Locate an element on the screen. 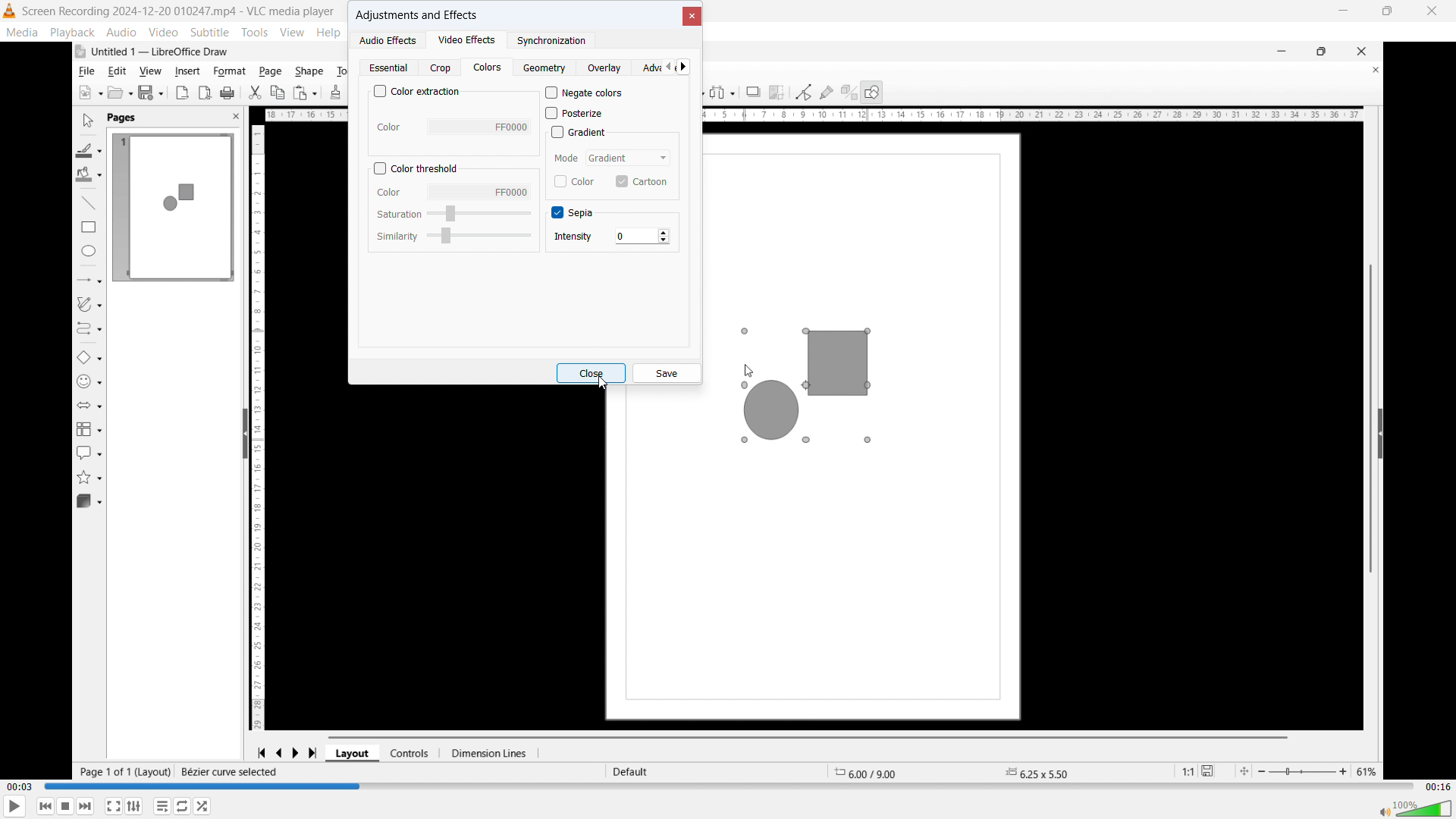 Image resolution: width=1456 pixels, height=819 pixels. Essential  is located at coordinates (390, 68).